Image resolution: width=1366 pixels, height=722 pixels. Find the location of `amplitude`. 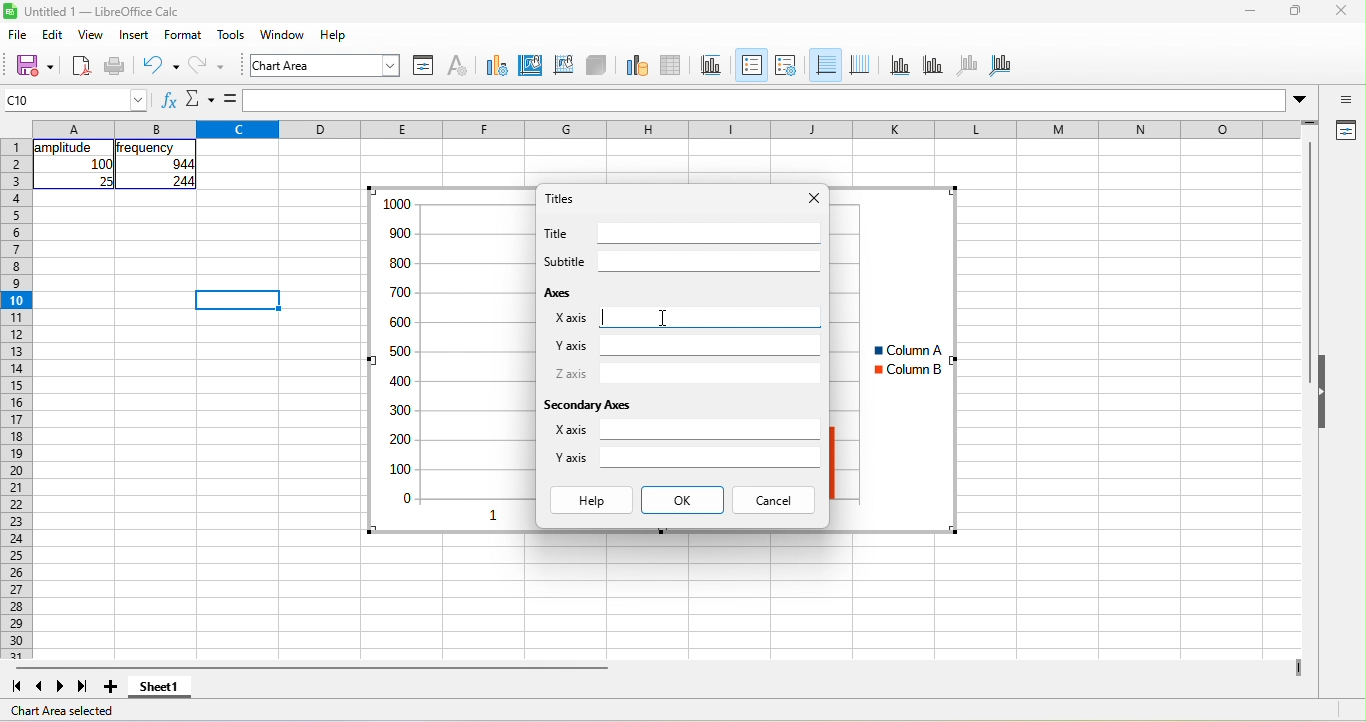

amplitude is located at coordinates (66, 148).